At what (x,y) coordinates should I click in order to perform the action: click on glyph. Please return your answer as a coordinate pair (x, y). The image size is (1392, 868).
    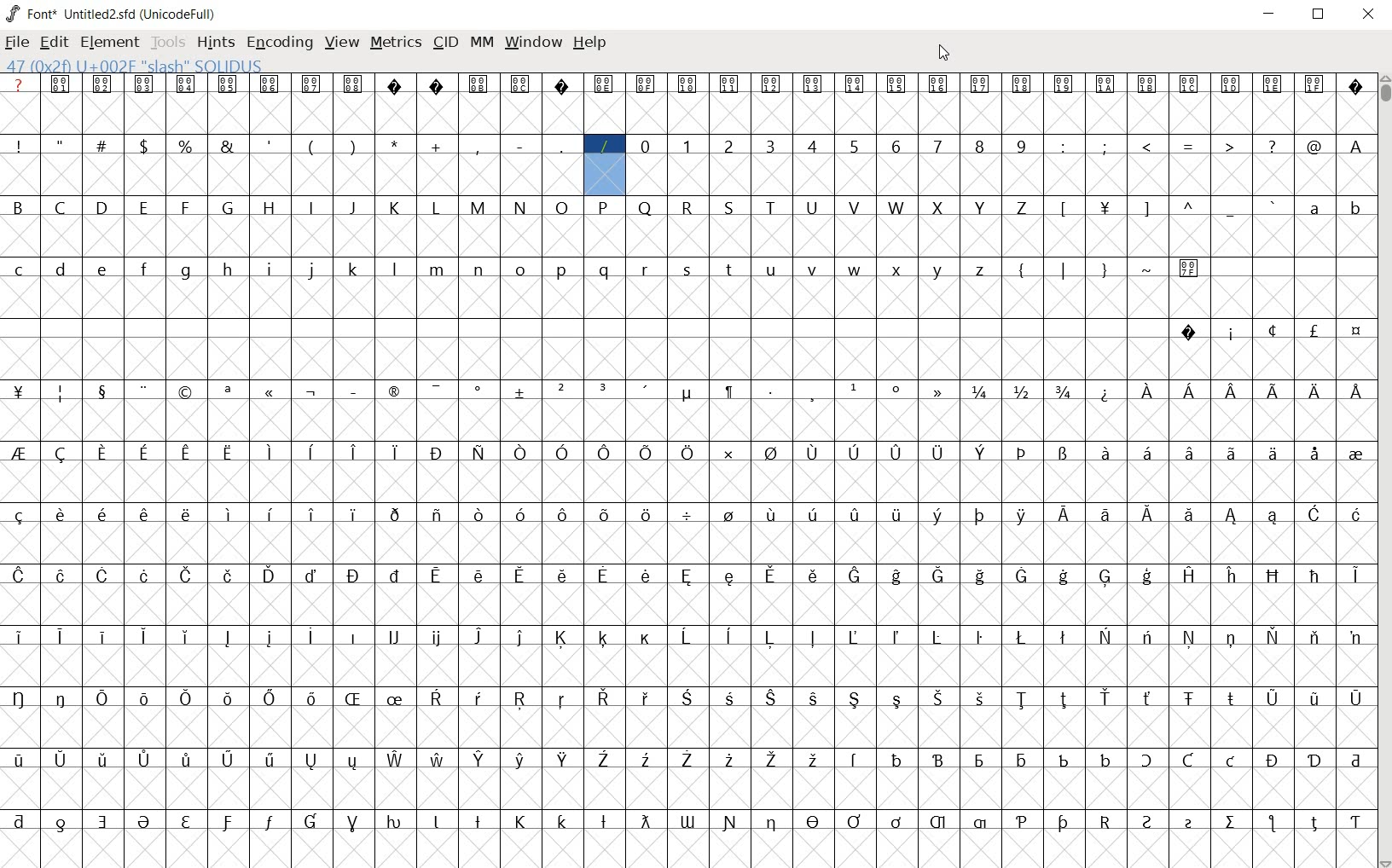
    Looking at the image, I should click on (269, 638).